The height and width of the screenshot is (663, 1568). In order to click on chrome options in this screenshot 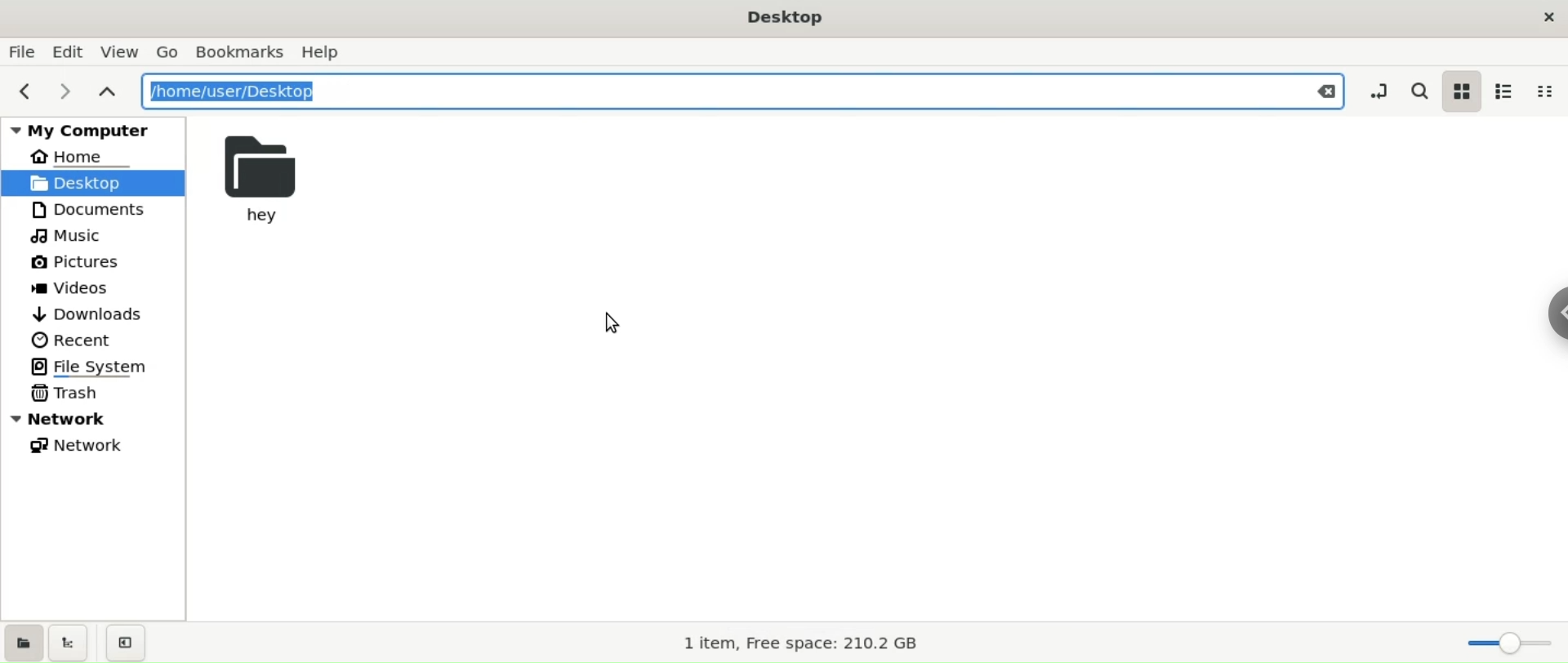, I will do `click(1549, 317)`.